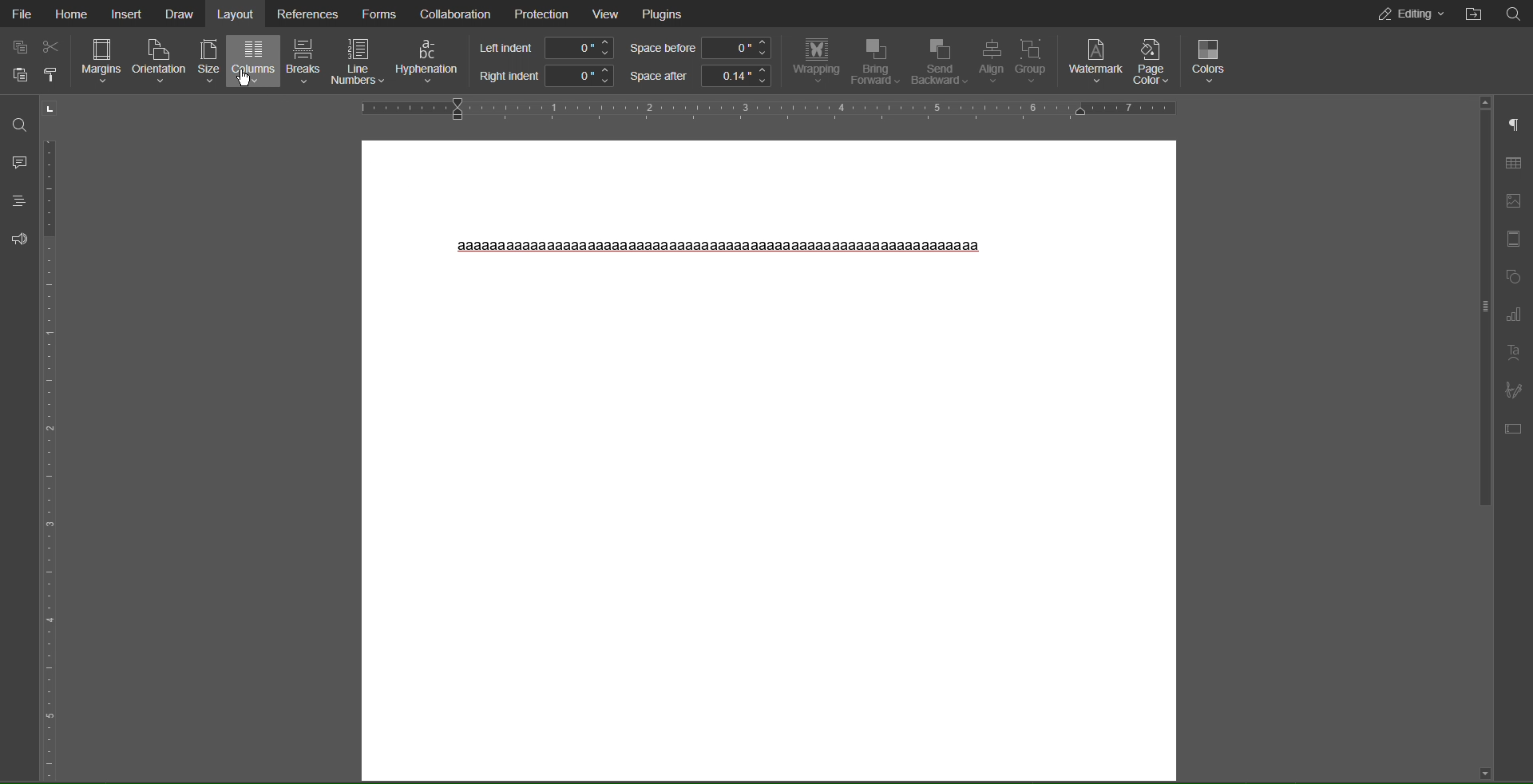  What do you see at coordinates (18, 78) in the screenshot?
I see `paste` at bounding box center [18, 78].